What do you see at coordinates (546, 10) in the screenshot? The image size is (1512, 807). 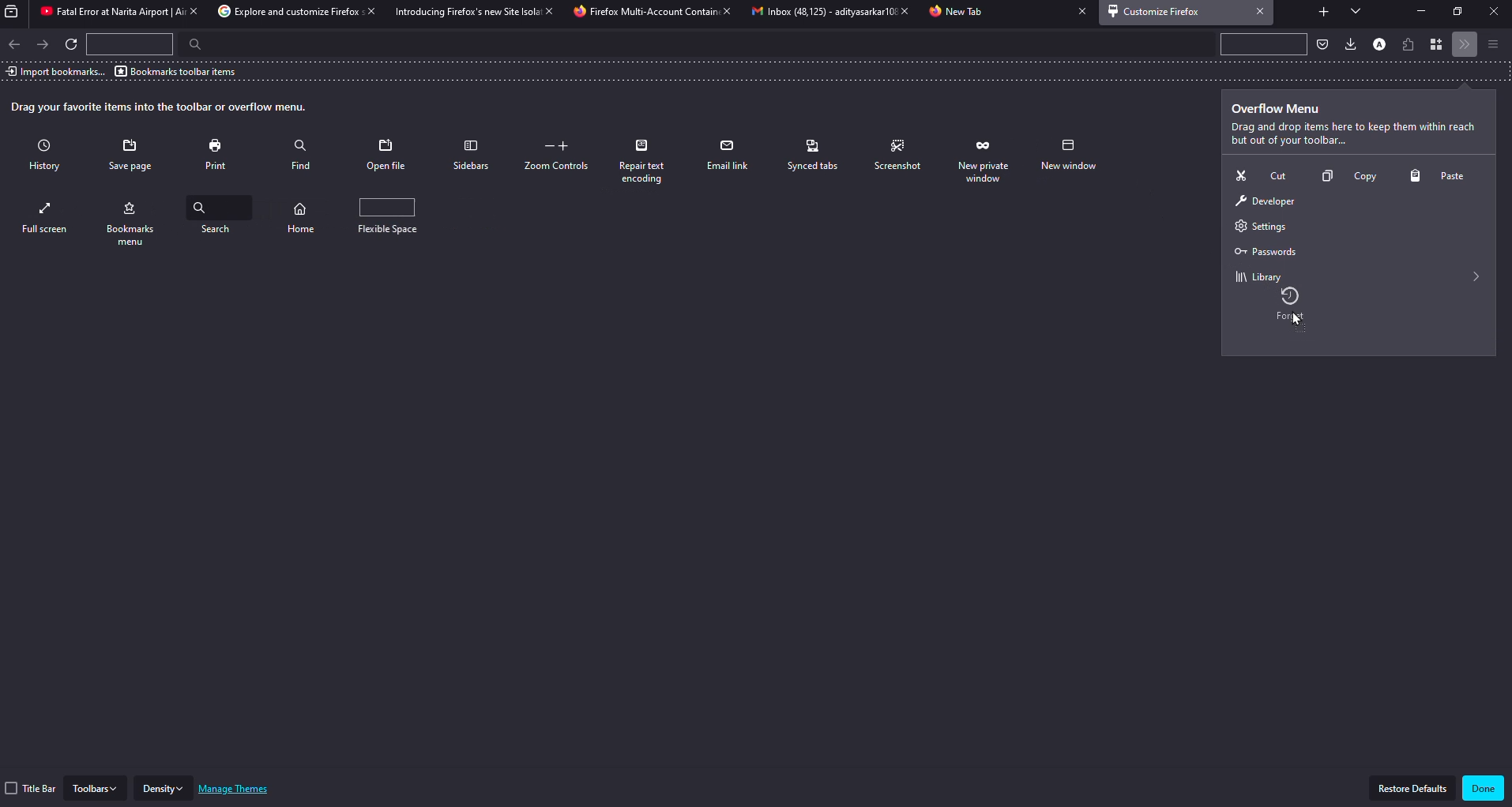 I see `close` at bounding box center [546, 10].